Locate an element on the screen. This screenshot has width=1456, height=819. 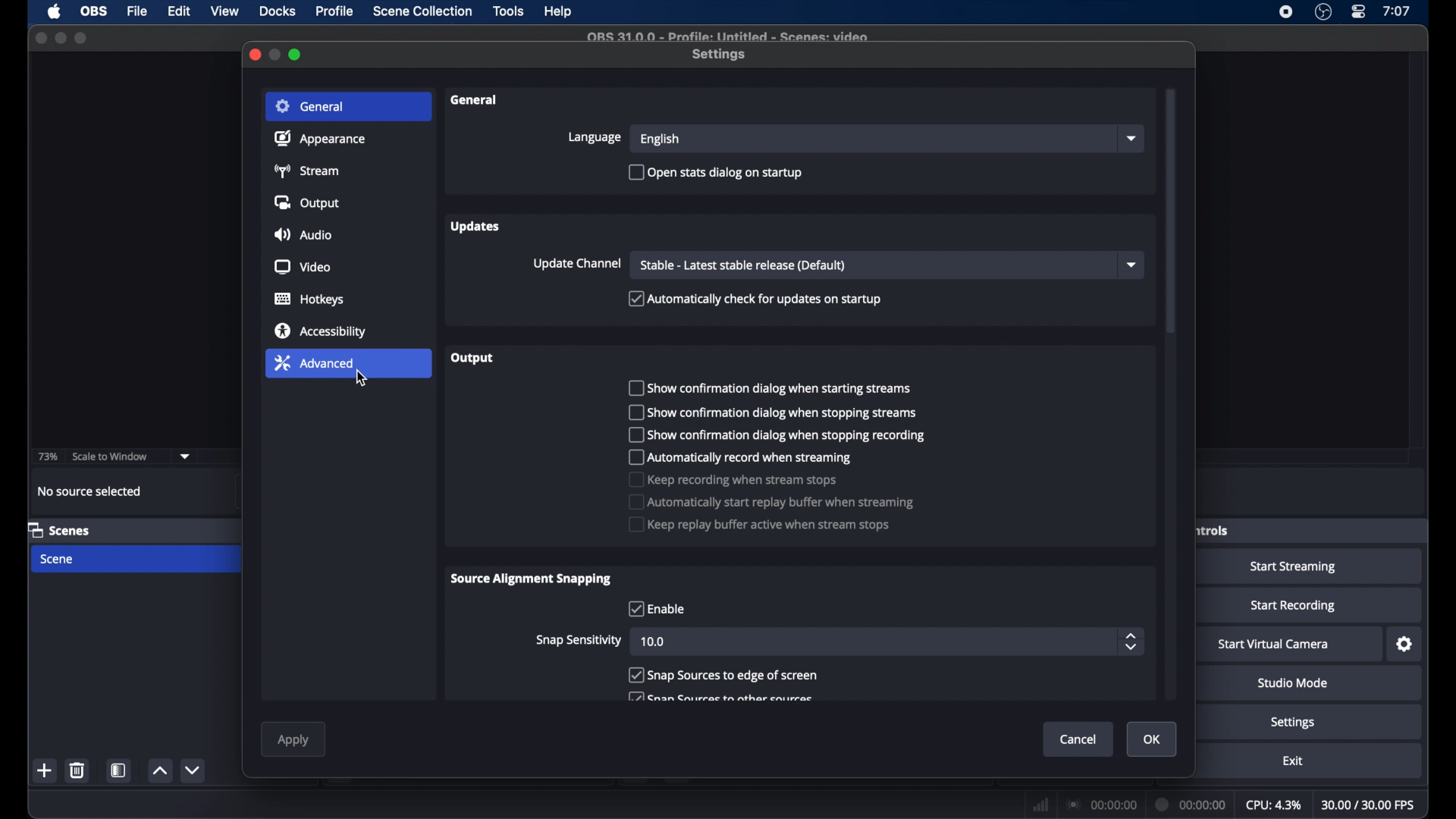
checkbox is located at coordinates (723, 675).